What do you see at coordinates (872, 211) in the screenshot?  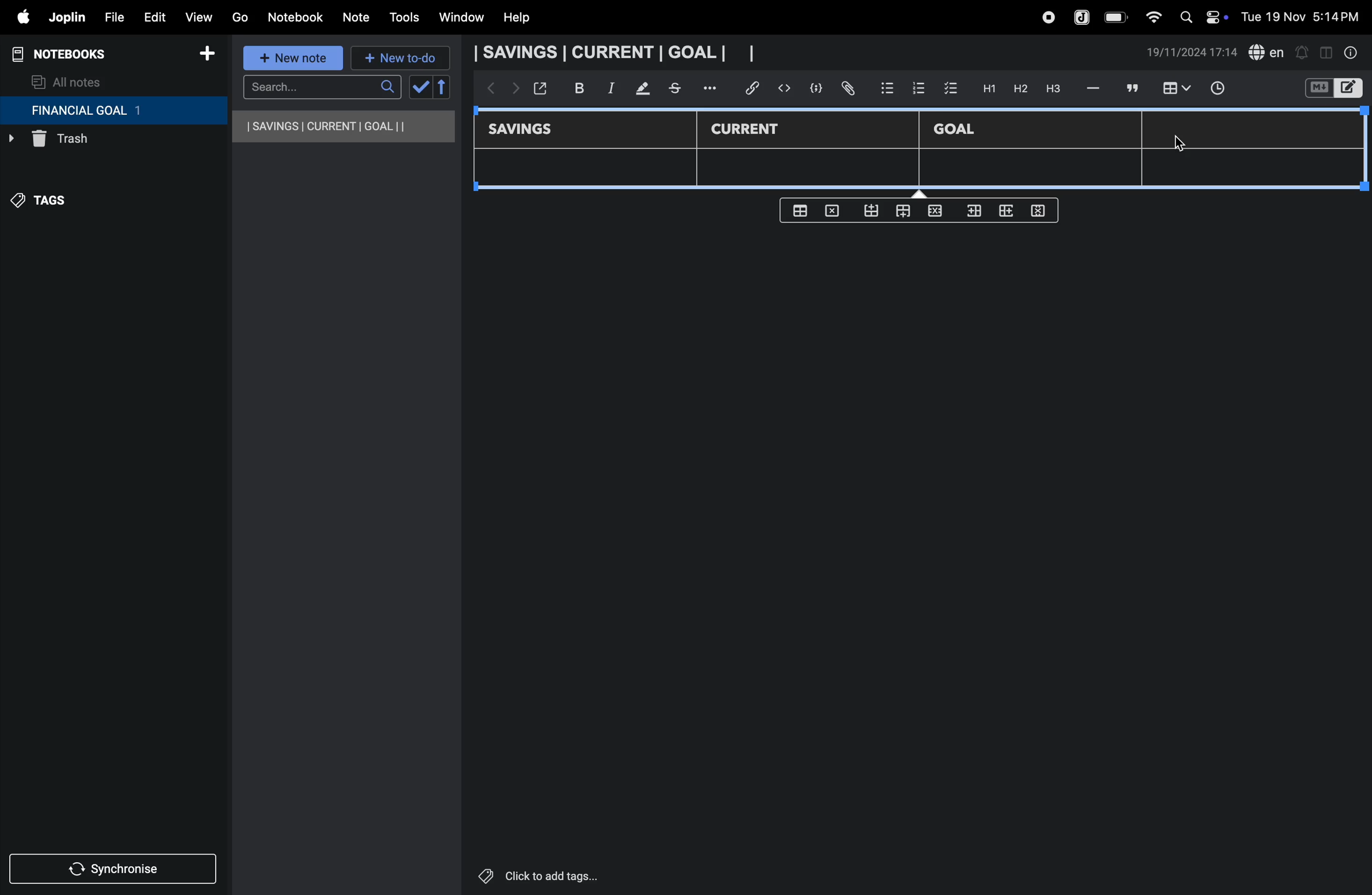 I see `from bottom` at bounding box center [872, 211].